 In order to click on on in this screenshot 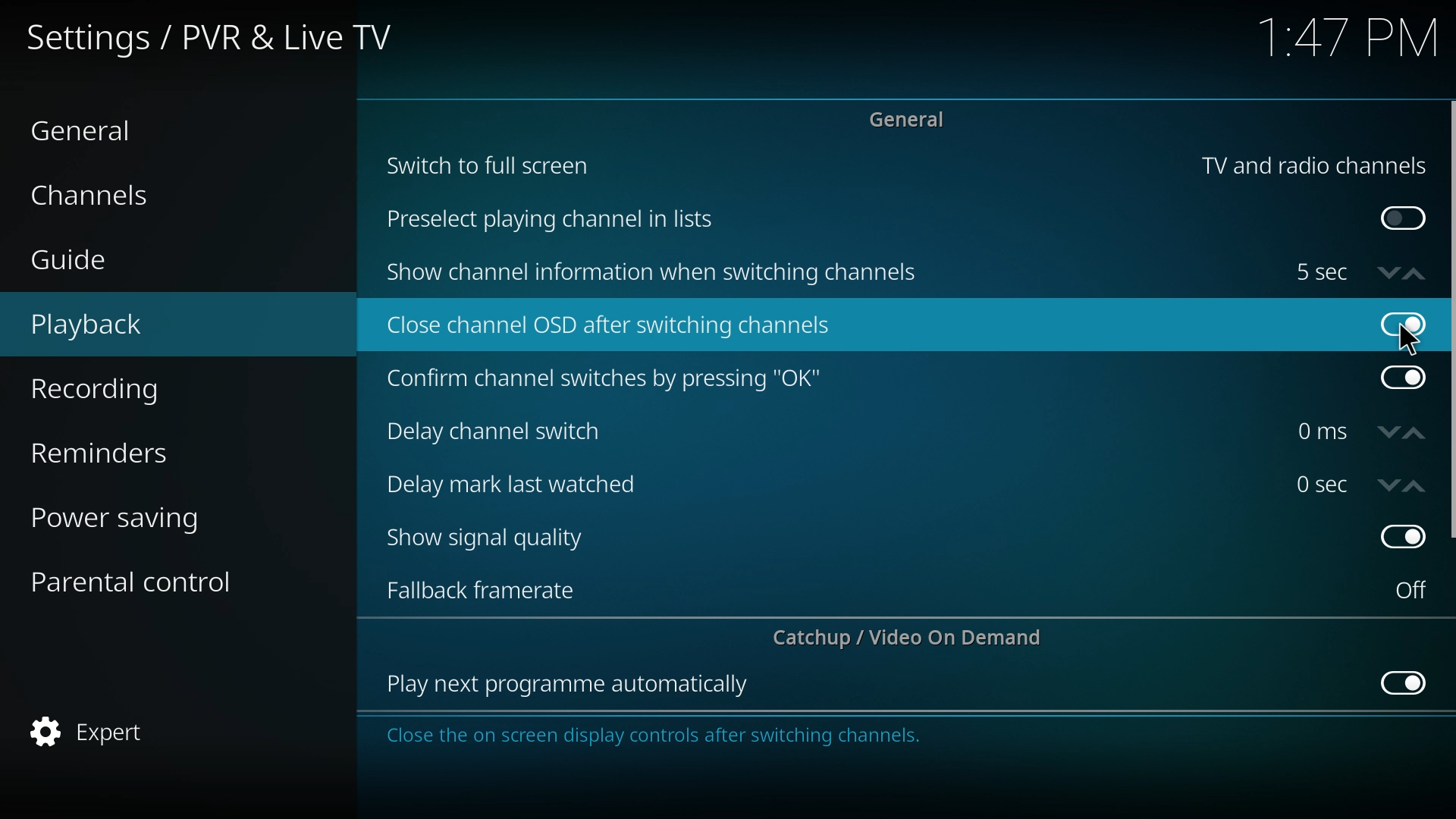, I will do `click(1404, 219)`.